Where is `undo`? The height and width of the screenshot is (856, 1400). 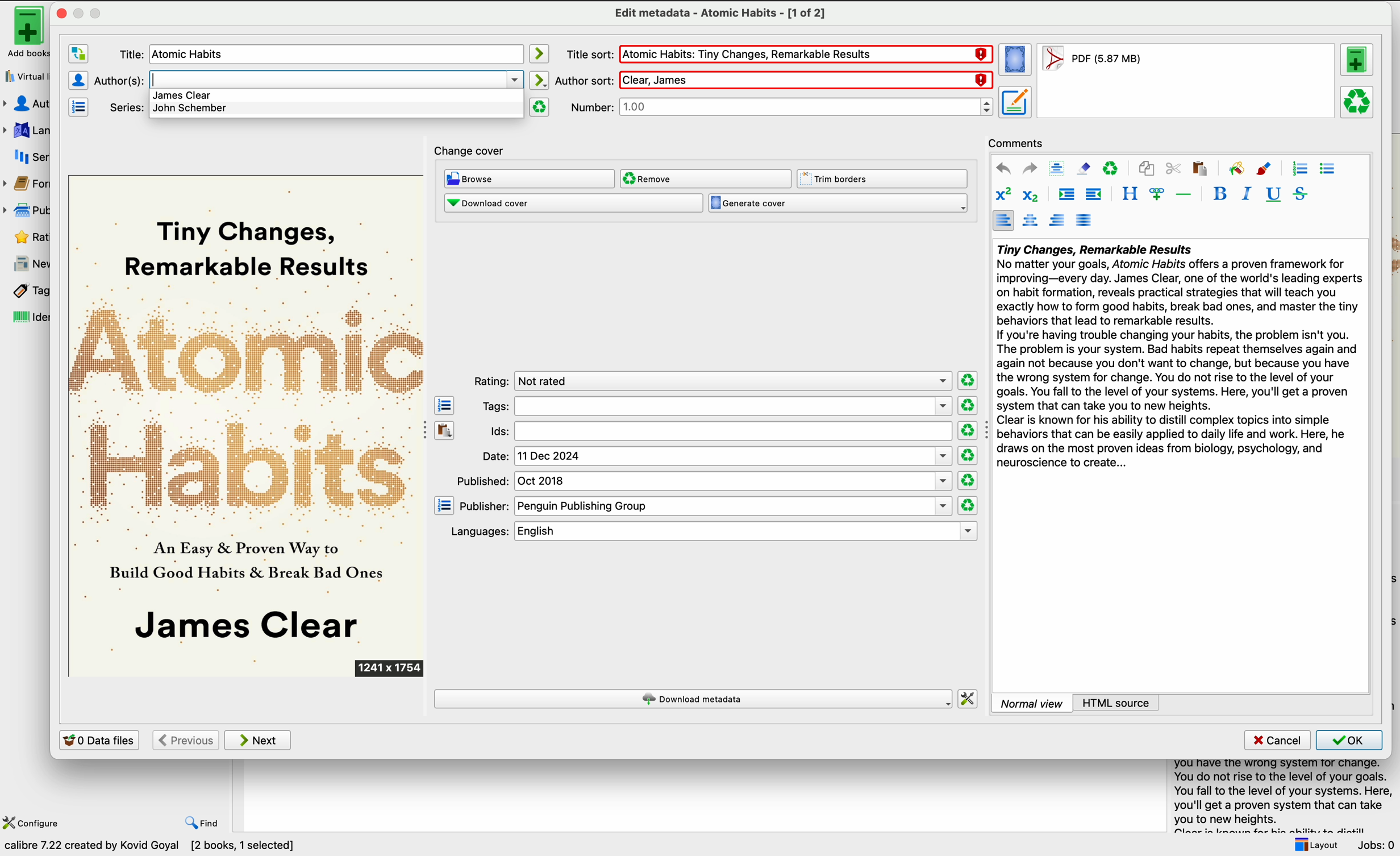 undo is located at coordinates (1003, 168).